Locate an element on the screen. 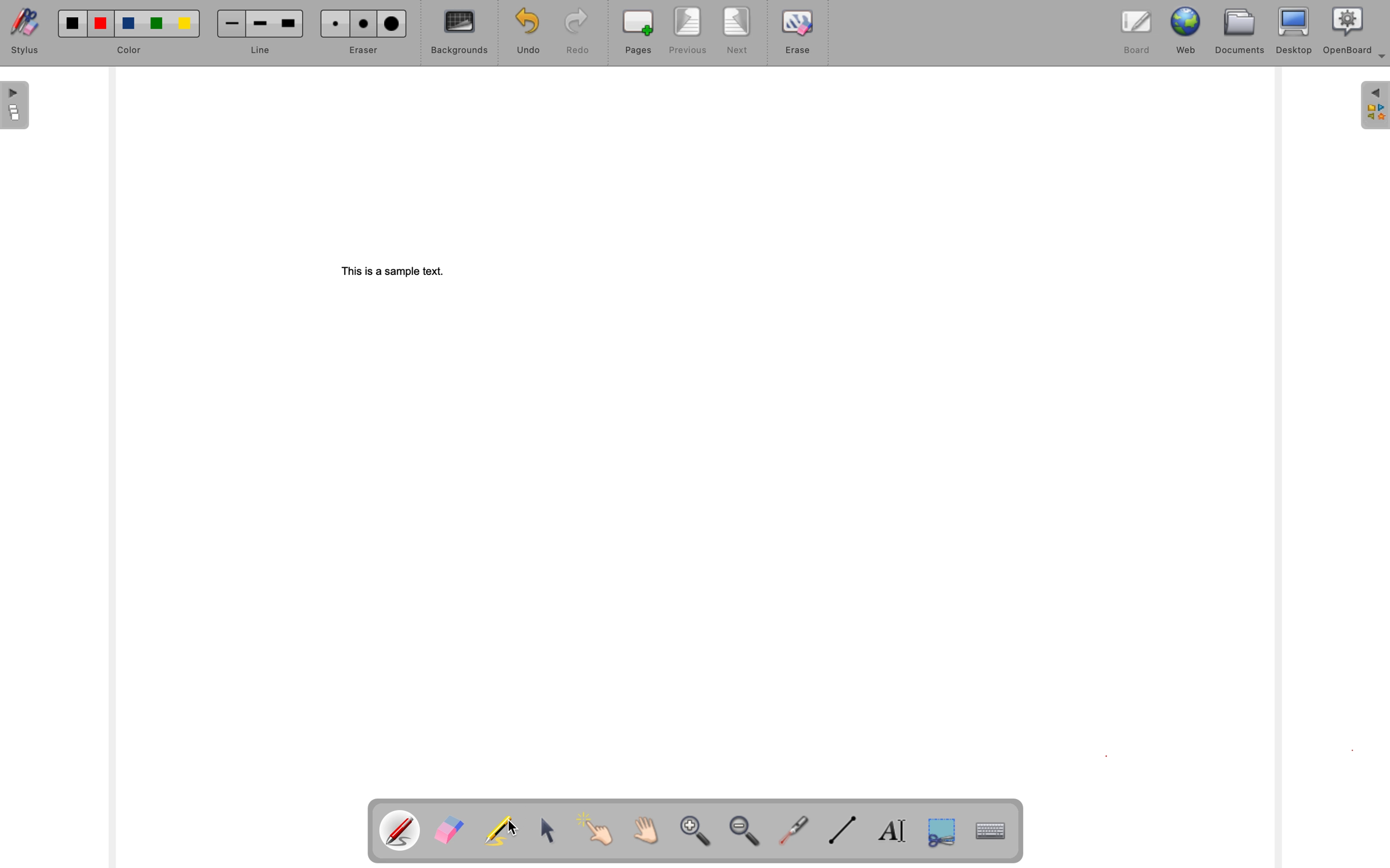  next is located at coordinates (736, 31).